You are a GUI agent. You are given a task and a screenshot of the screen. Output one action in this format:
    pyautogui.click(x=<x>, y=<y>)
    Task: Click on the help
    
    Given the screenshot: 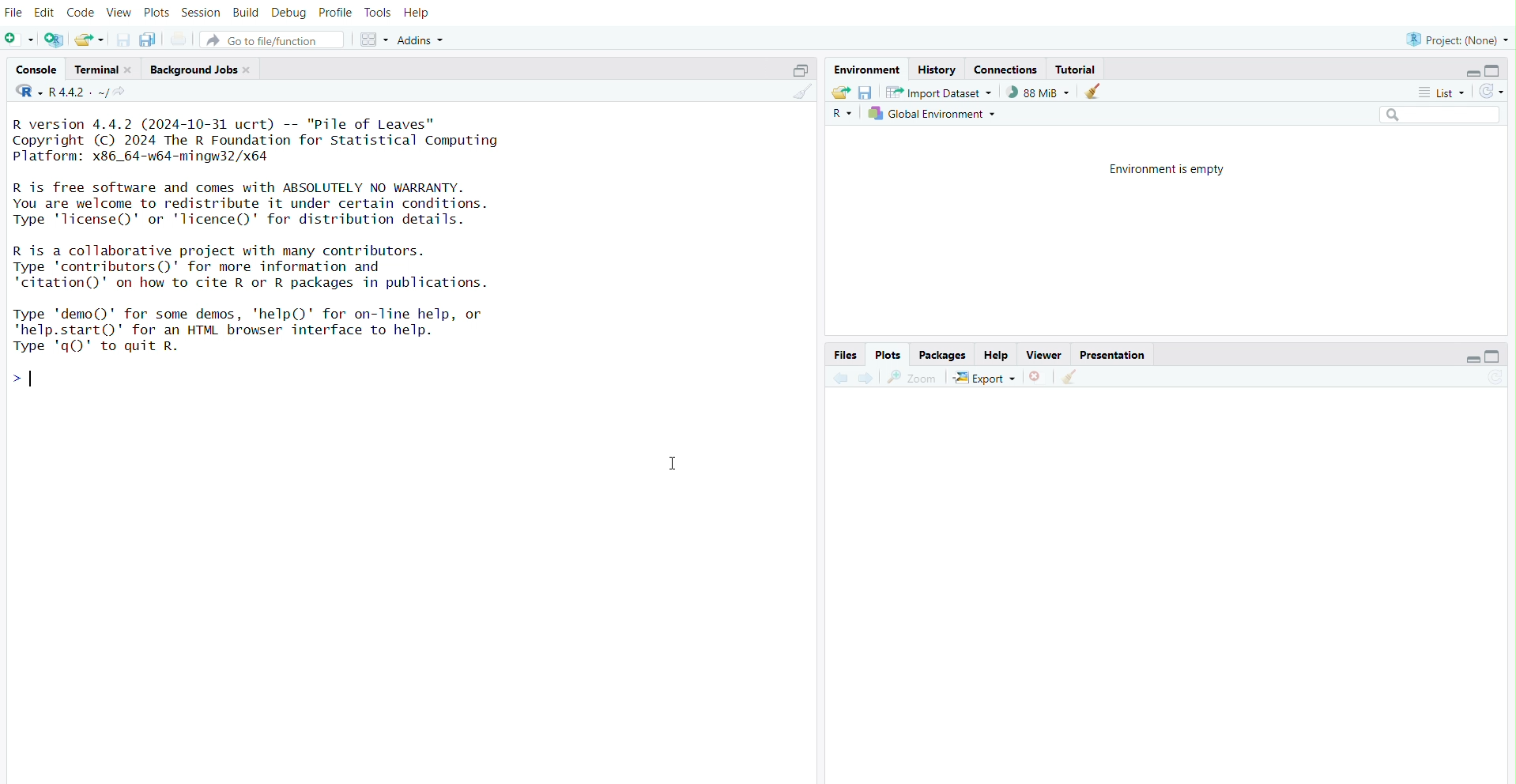 What is the action you would take?
    pyautogui.click(x=999, y=353)
    